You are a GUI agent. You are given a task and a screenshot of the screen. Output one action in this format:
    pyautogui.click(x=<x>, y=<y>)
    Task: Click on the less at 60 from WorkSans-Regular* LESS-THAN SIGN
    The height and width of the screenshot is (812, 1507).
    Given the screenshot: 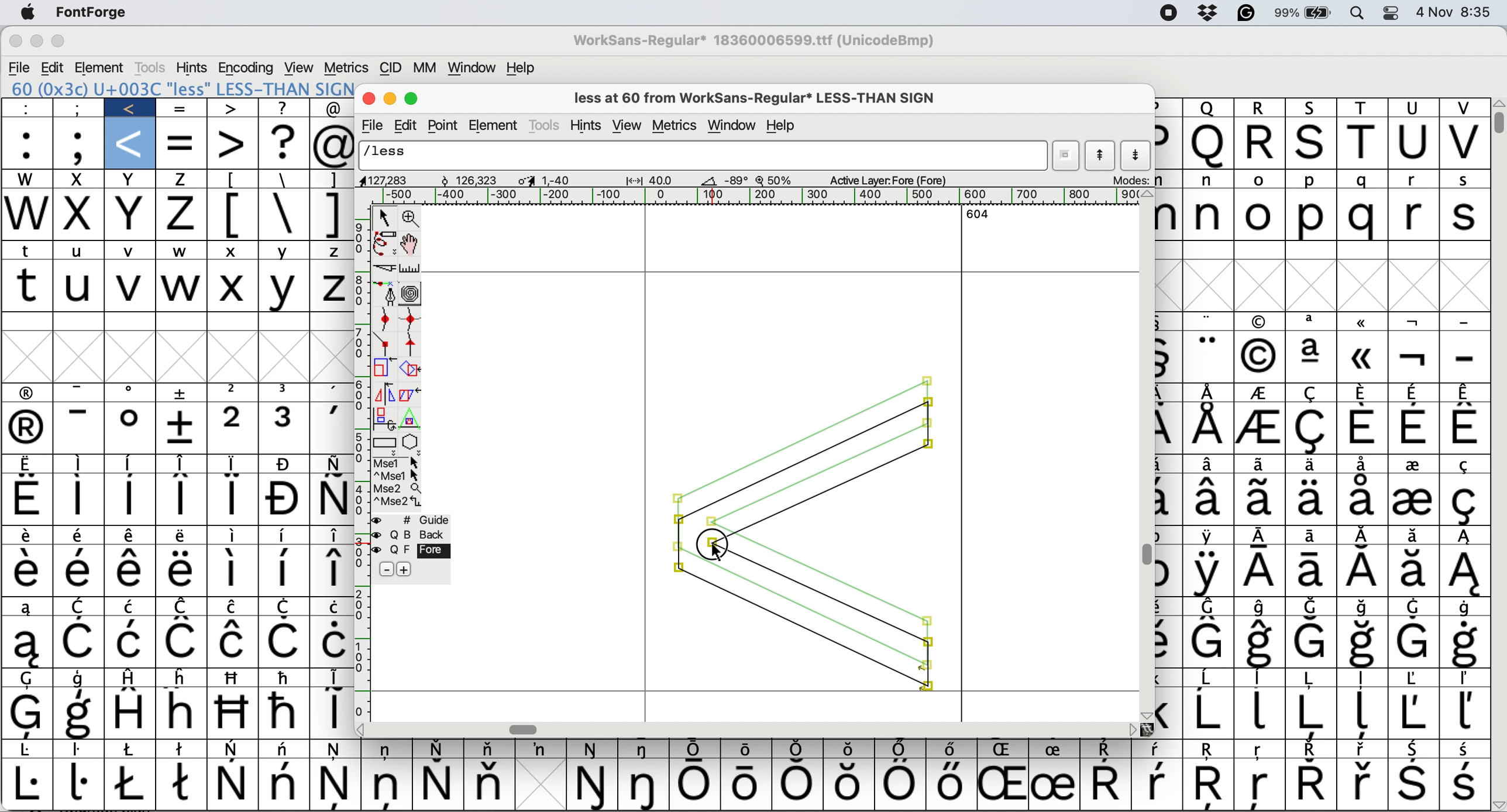 What is the action you would take?
    pyautogui.click(x=761, y=96)
    